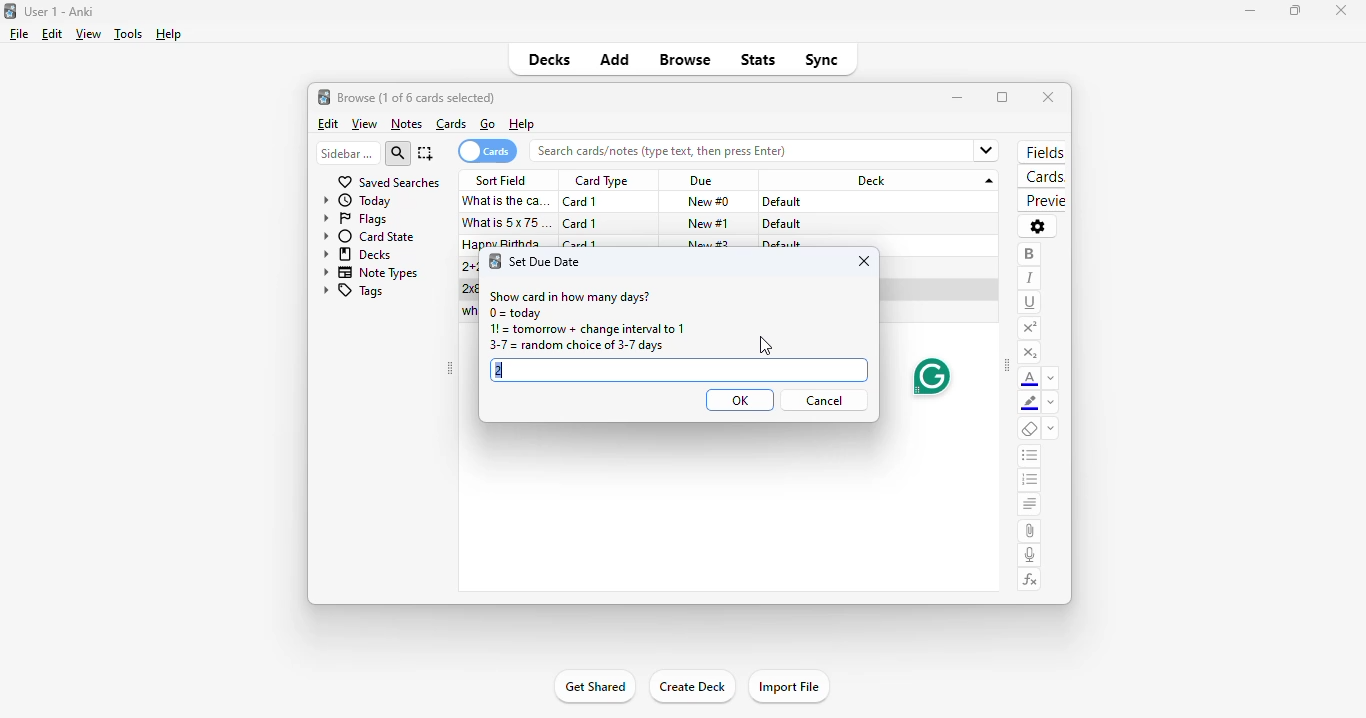 This screenshot has width=1366, height=718. I want to click on logo, so click(10, 10).